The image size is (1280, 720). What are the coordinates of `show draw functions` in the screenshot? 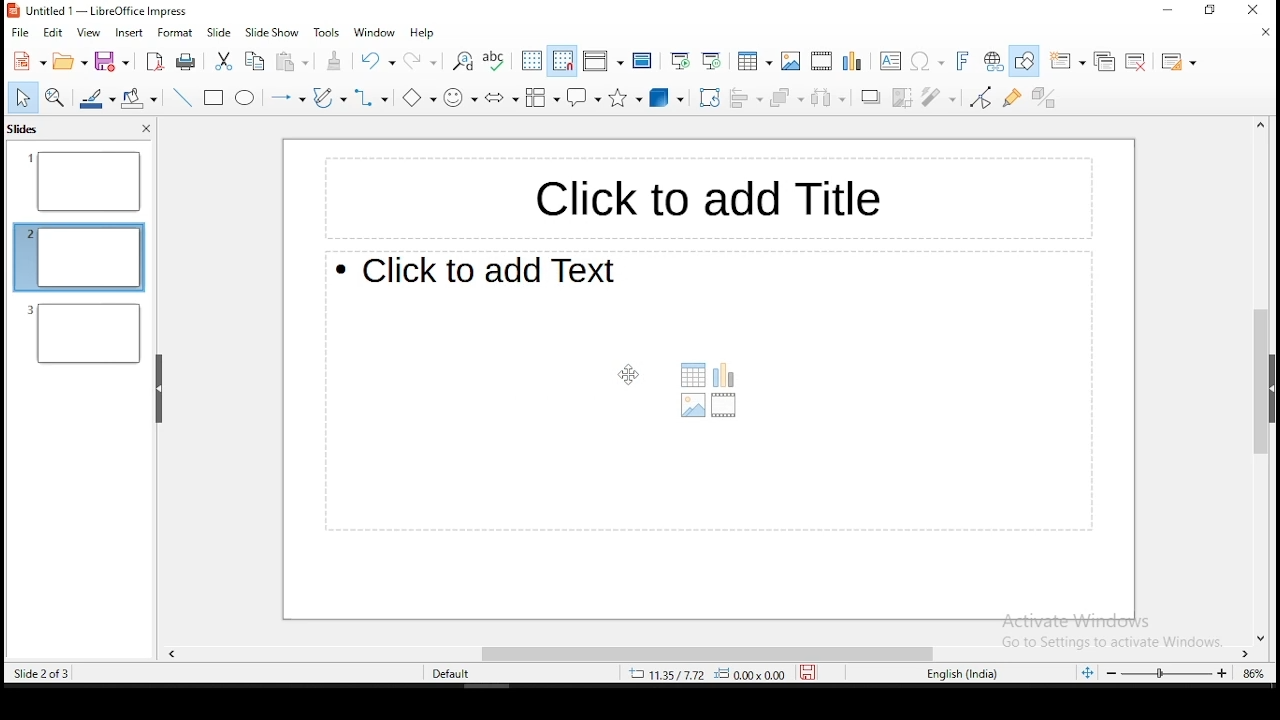 It's located at (1024, 60).